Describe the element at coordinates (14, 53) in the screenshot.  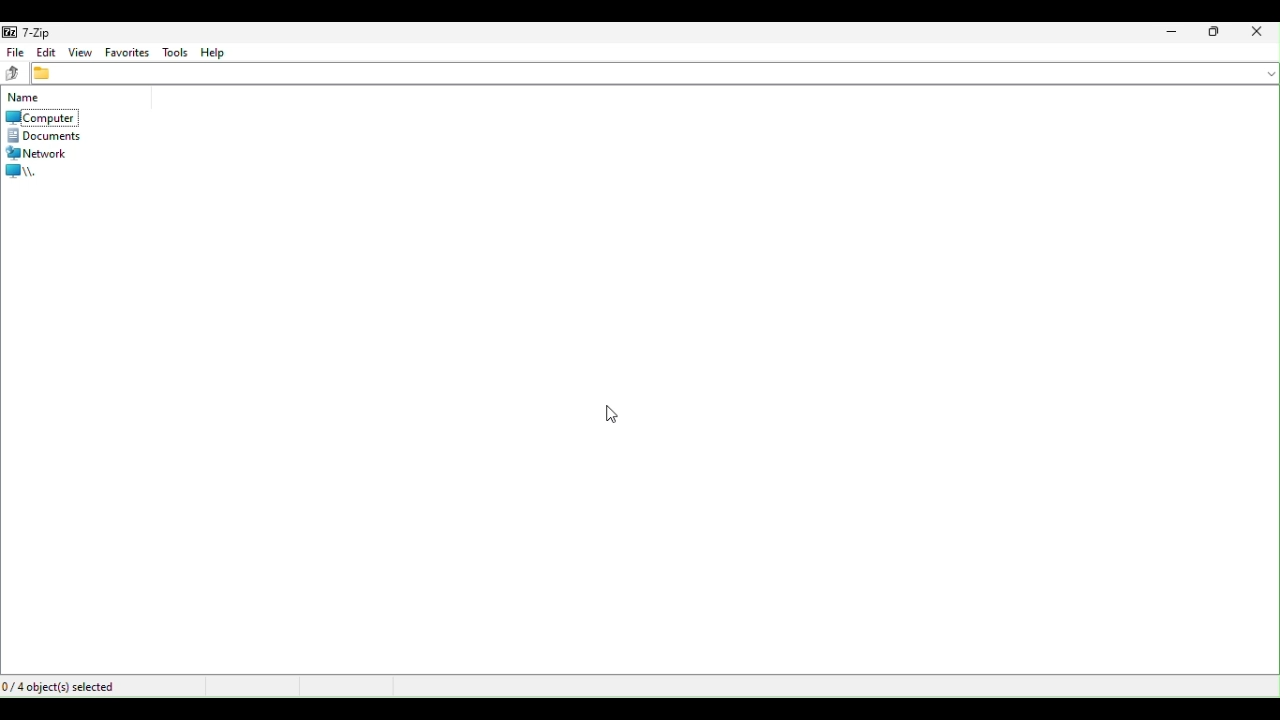
I see `files` at that location.